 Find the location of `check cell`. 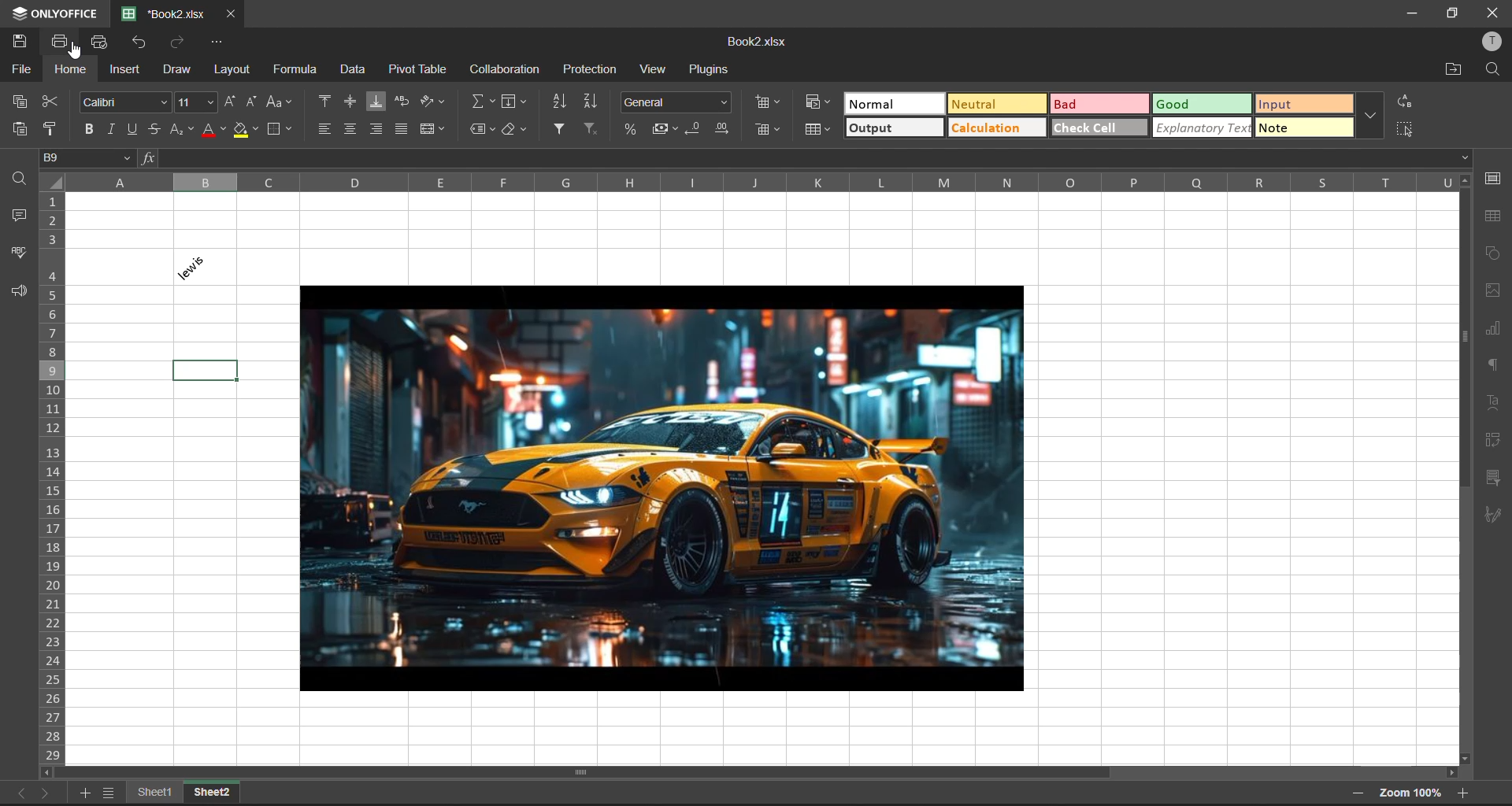

check cell is located at coordinates (1100, 125).